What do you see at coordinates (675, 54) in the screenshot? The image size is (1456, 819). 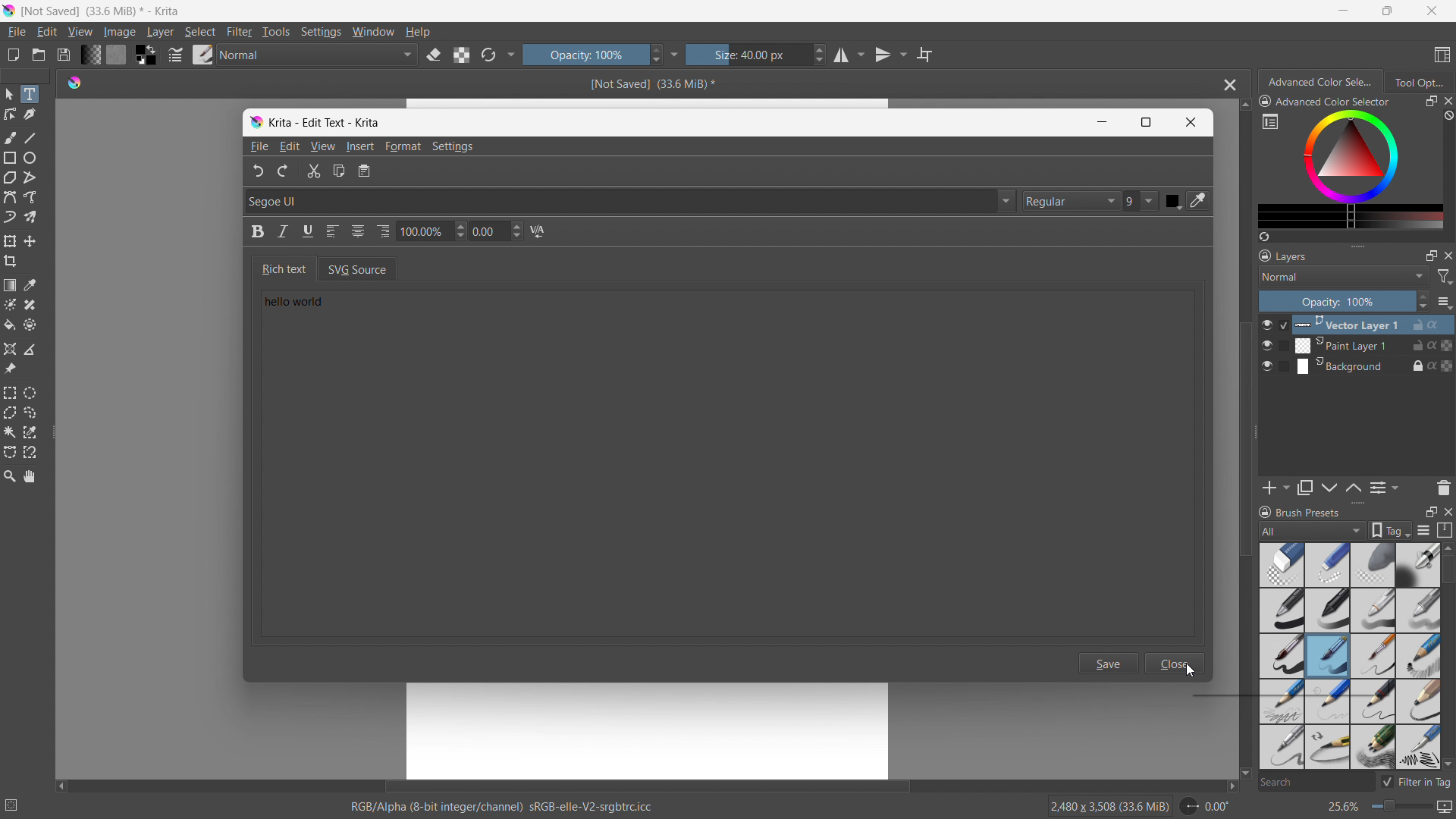 I see `more settings` at bounding box center [675, 54].